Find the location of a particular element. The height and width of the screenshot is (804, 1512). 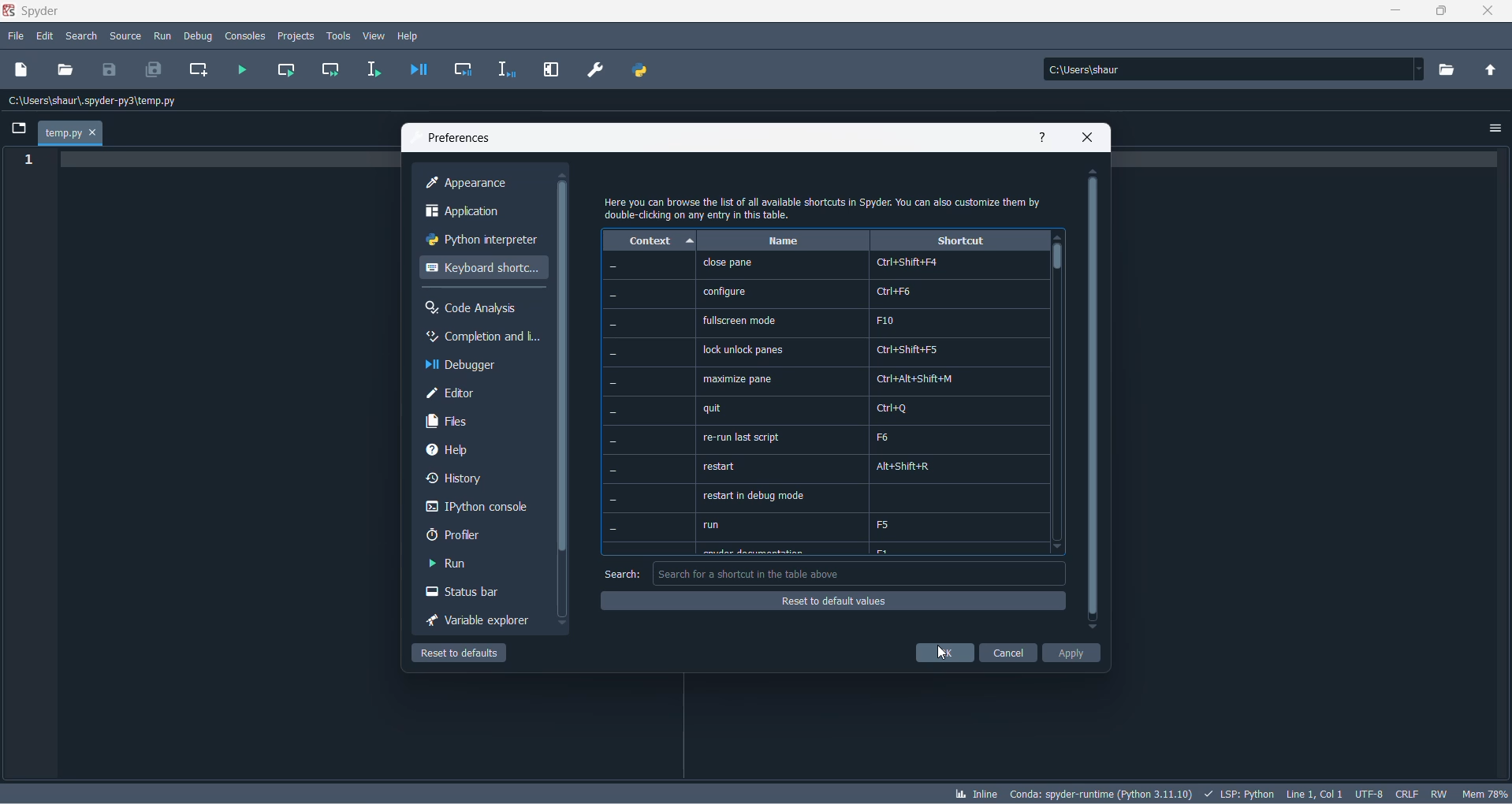

save all is located at coordinates (151, 71).